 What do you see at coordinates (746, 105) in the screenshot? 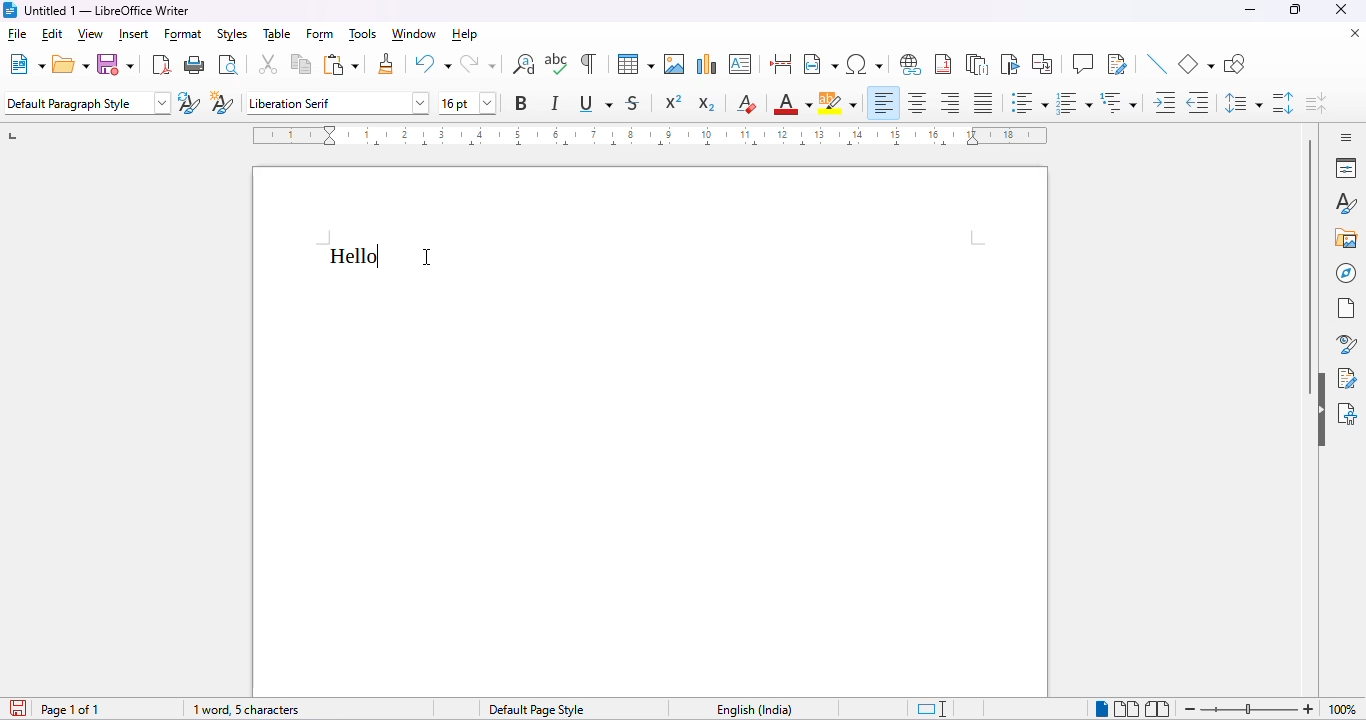
I see `clear direct formatting` at bounding box center [746, 105].